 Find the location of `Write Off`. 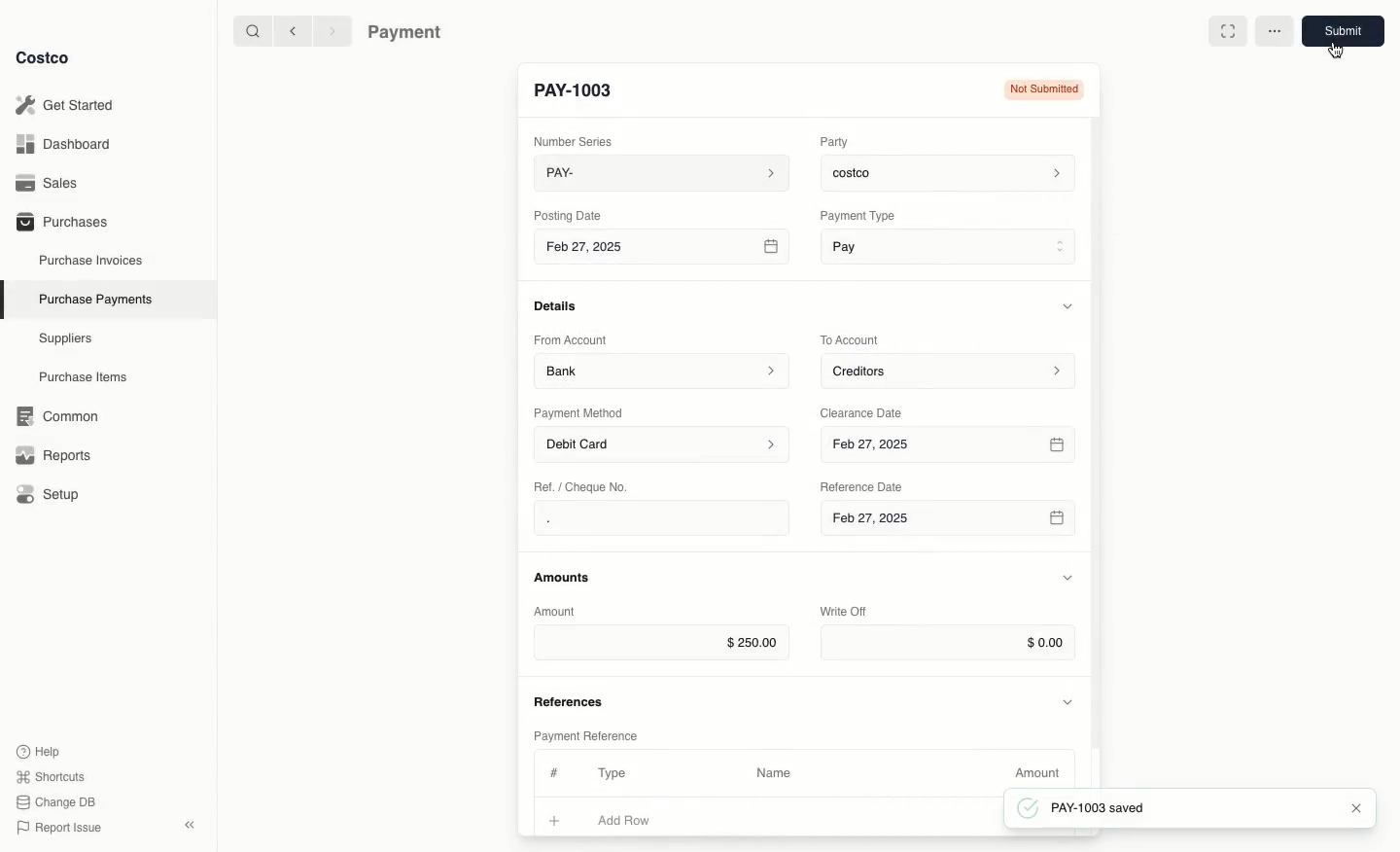

Write Off is located at coordinates (844, 613).